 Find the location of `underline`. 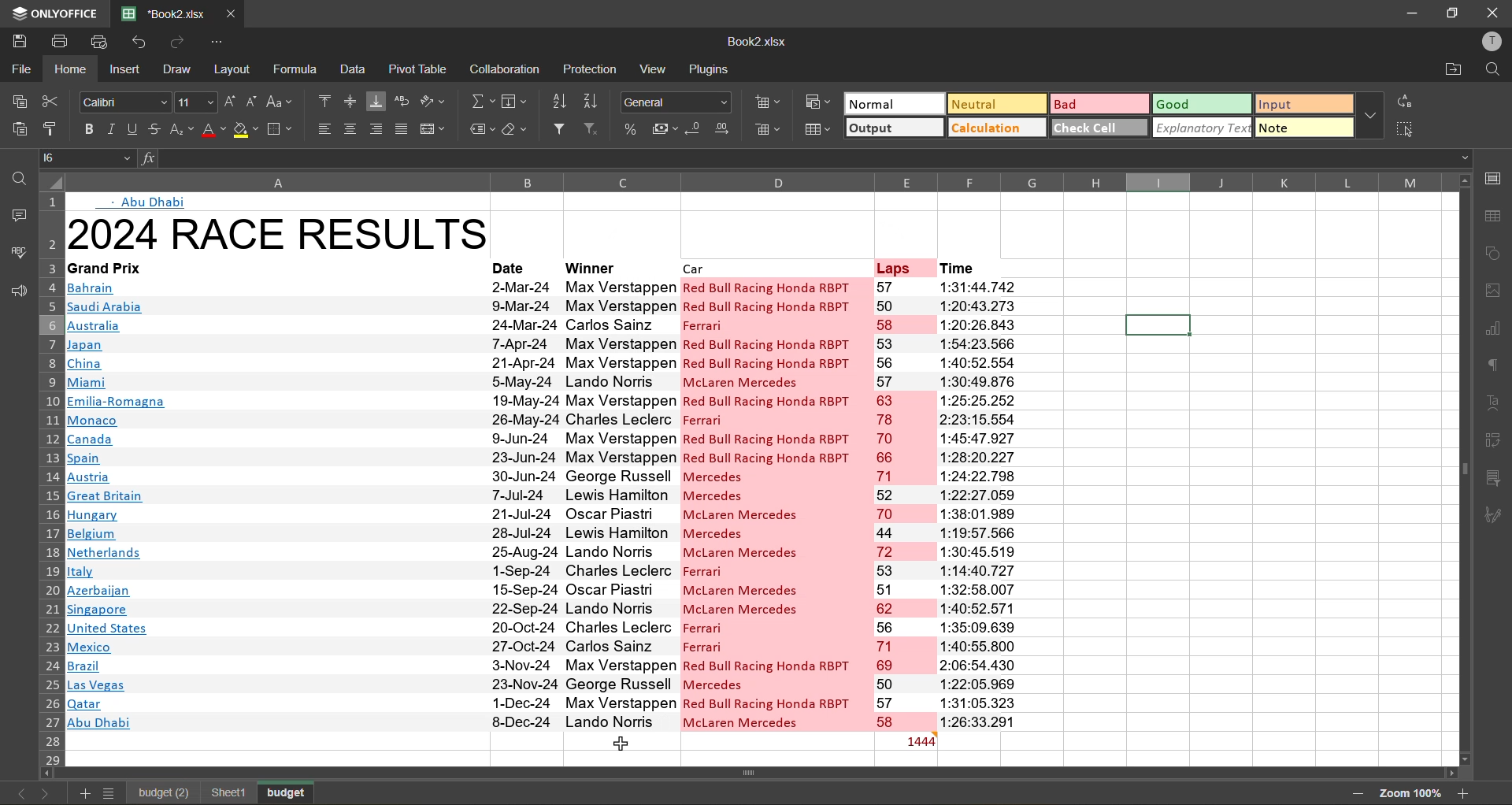

underline is located at coordinates (132, 132).